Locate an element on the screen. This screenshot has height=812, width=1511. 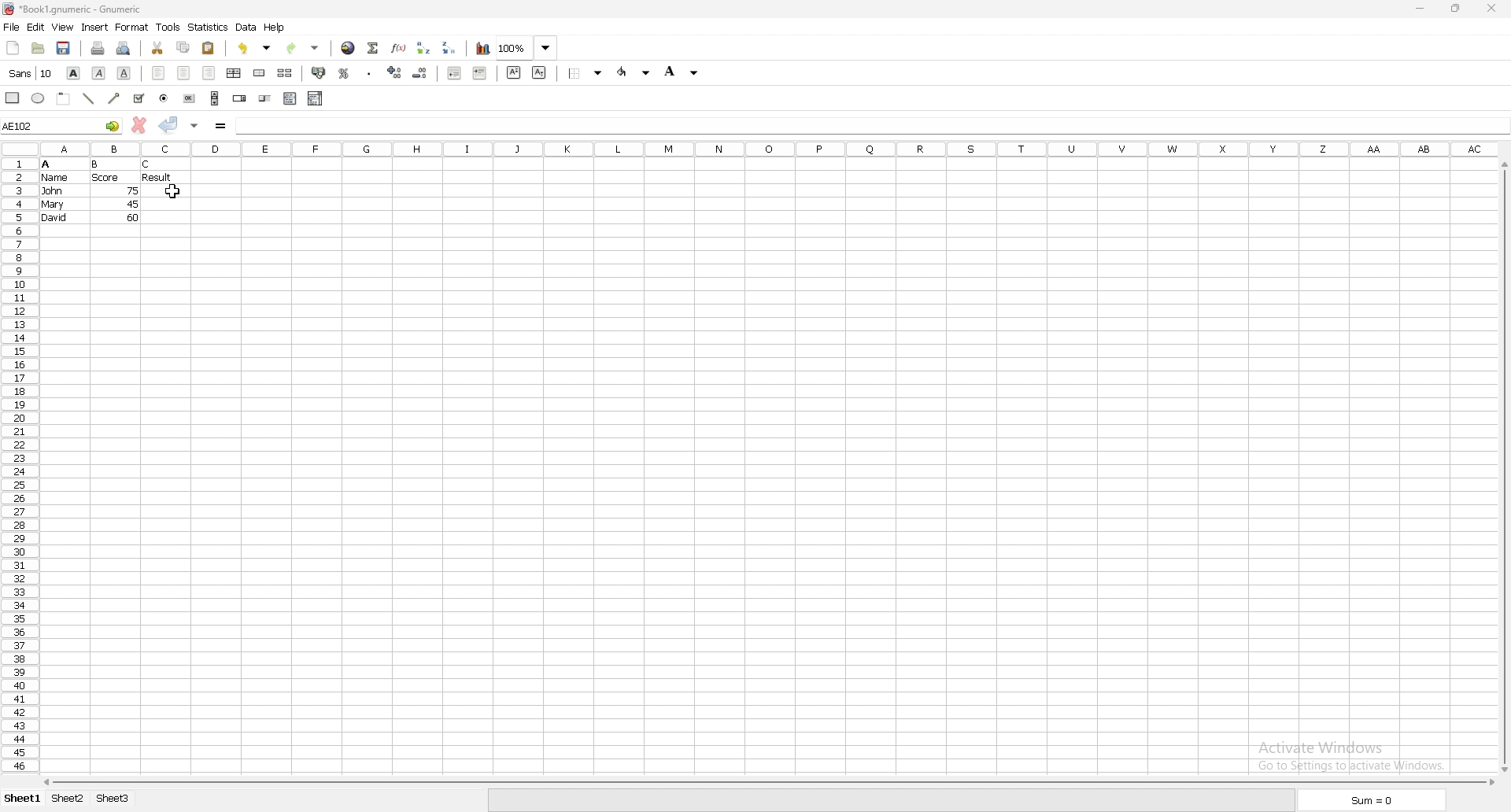
redo is located at coordinates (303, 49).